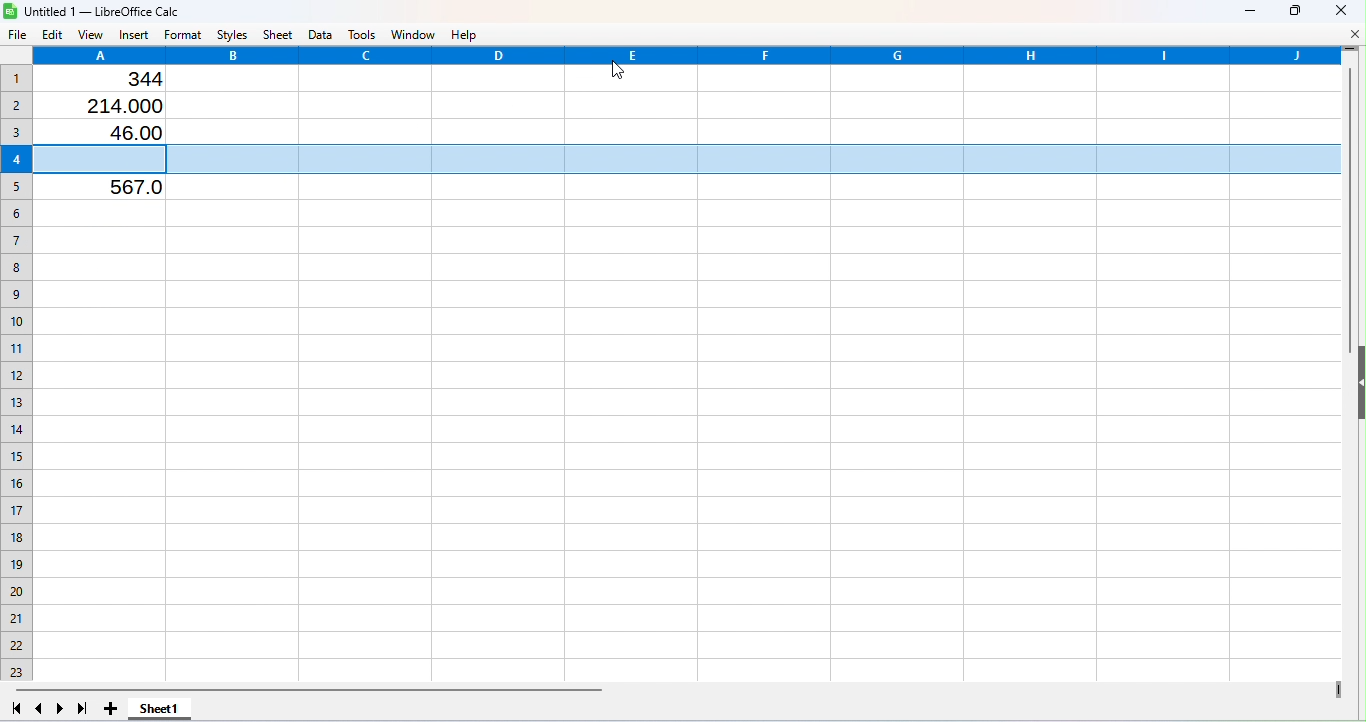  What do you see at coordinates (92, 36) in the screenshot?
I see `View` at bounding box center [92, 36].